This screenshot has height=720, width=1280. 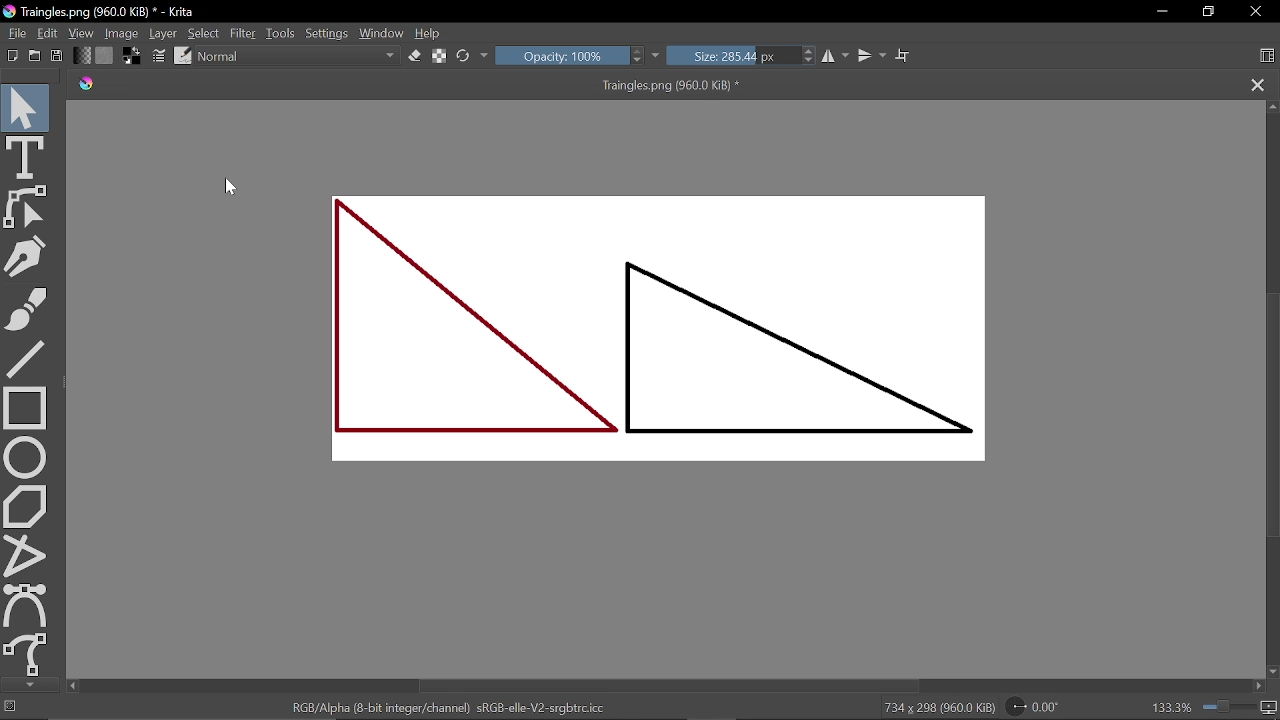 What do you see at coordinates (837, 56) in the screenshot?
I see `Horizontal mirrior tool ` at bounding box center [837, 56].